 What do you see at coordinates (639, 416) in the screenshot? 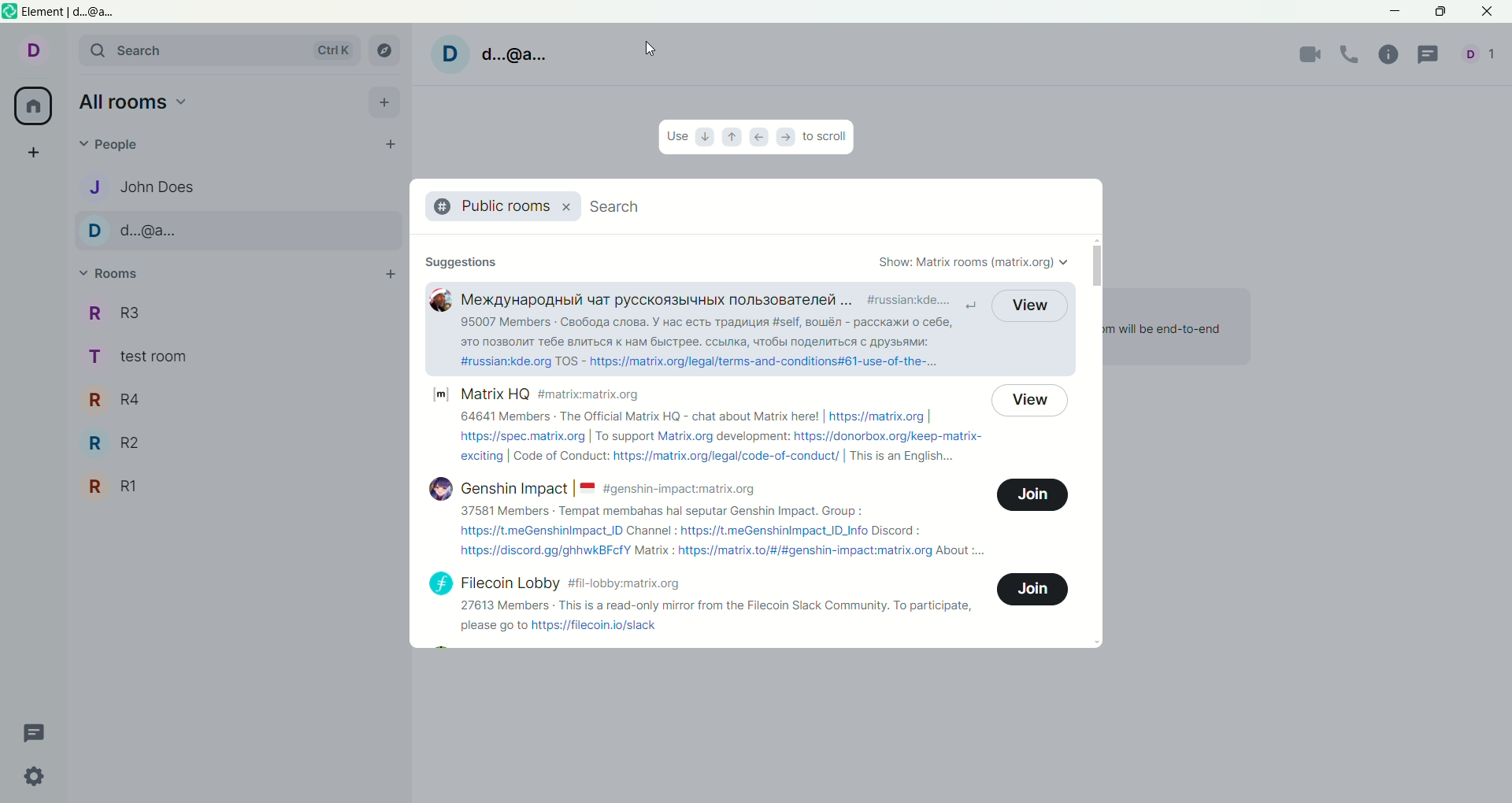
I see `64641 Members - The Official Matrix HQ - chat about Matrix here!` at bounding box center [639, 416].